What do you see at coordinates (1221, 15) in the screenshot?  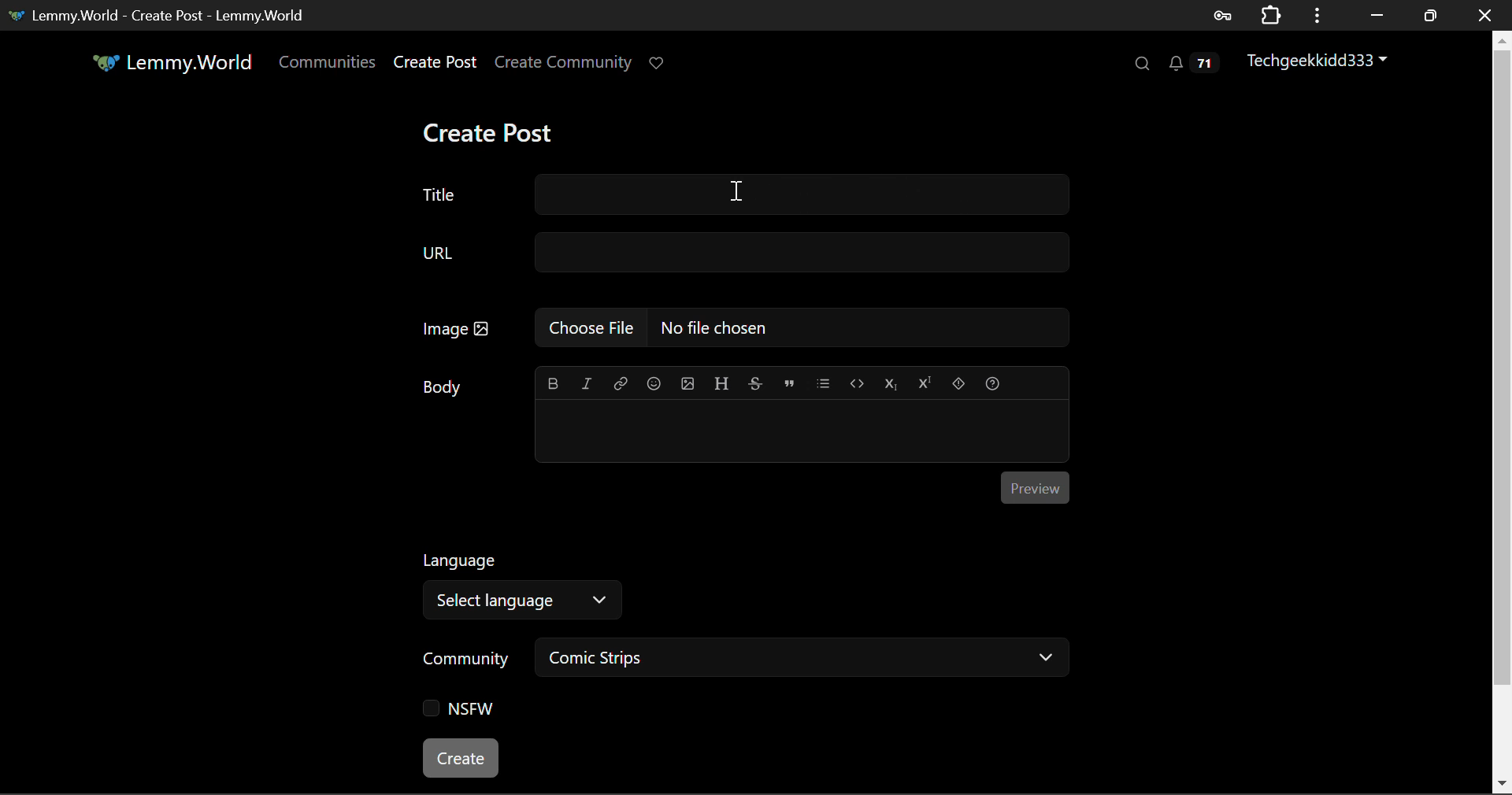 I see `Saved Password Data` at bounding box center [1221, 15].